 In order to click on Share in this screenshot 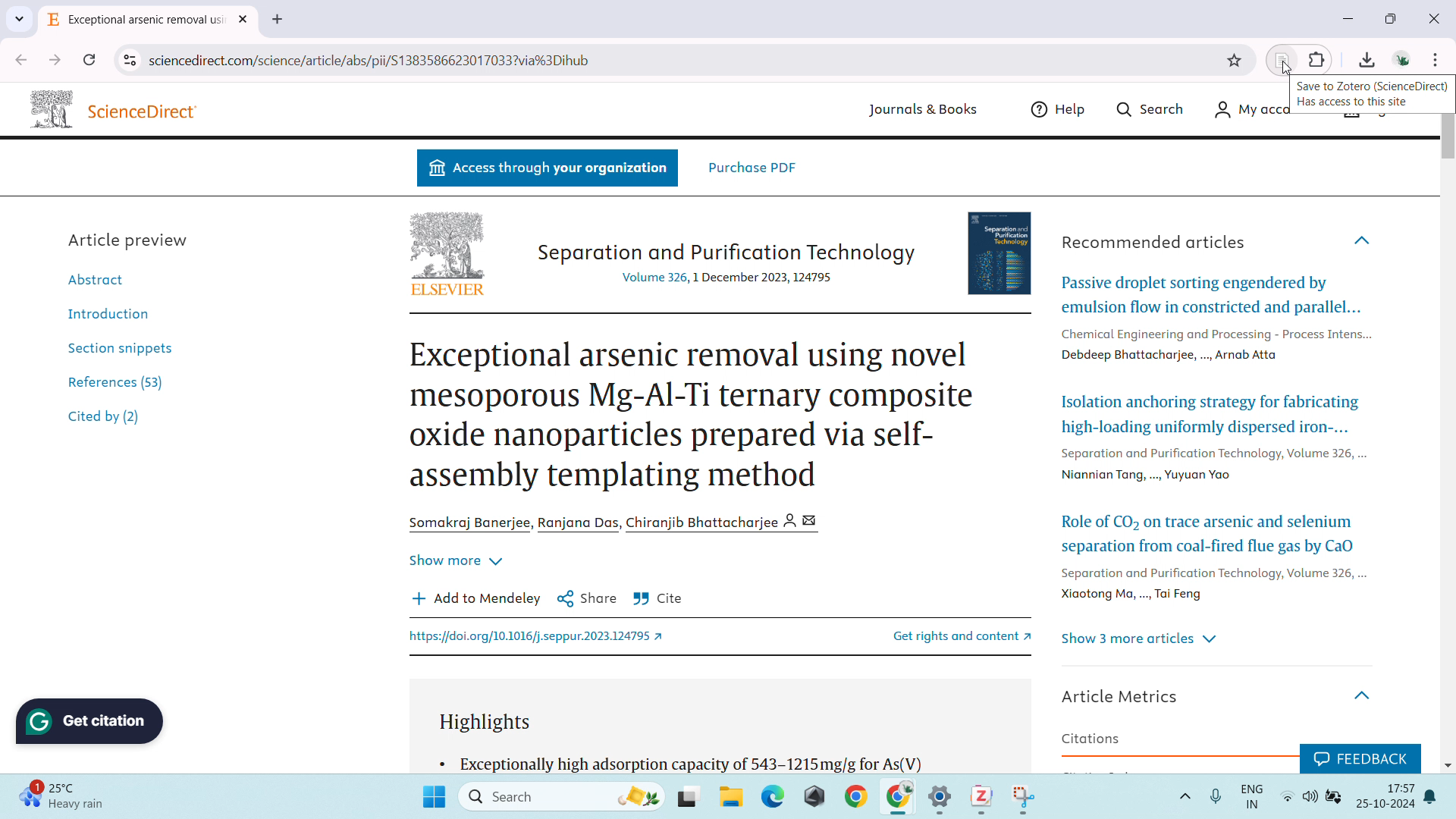, I will do `click(587, 598)`.